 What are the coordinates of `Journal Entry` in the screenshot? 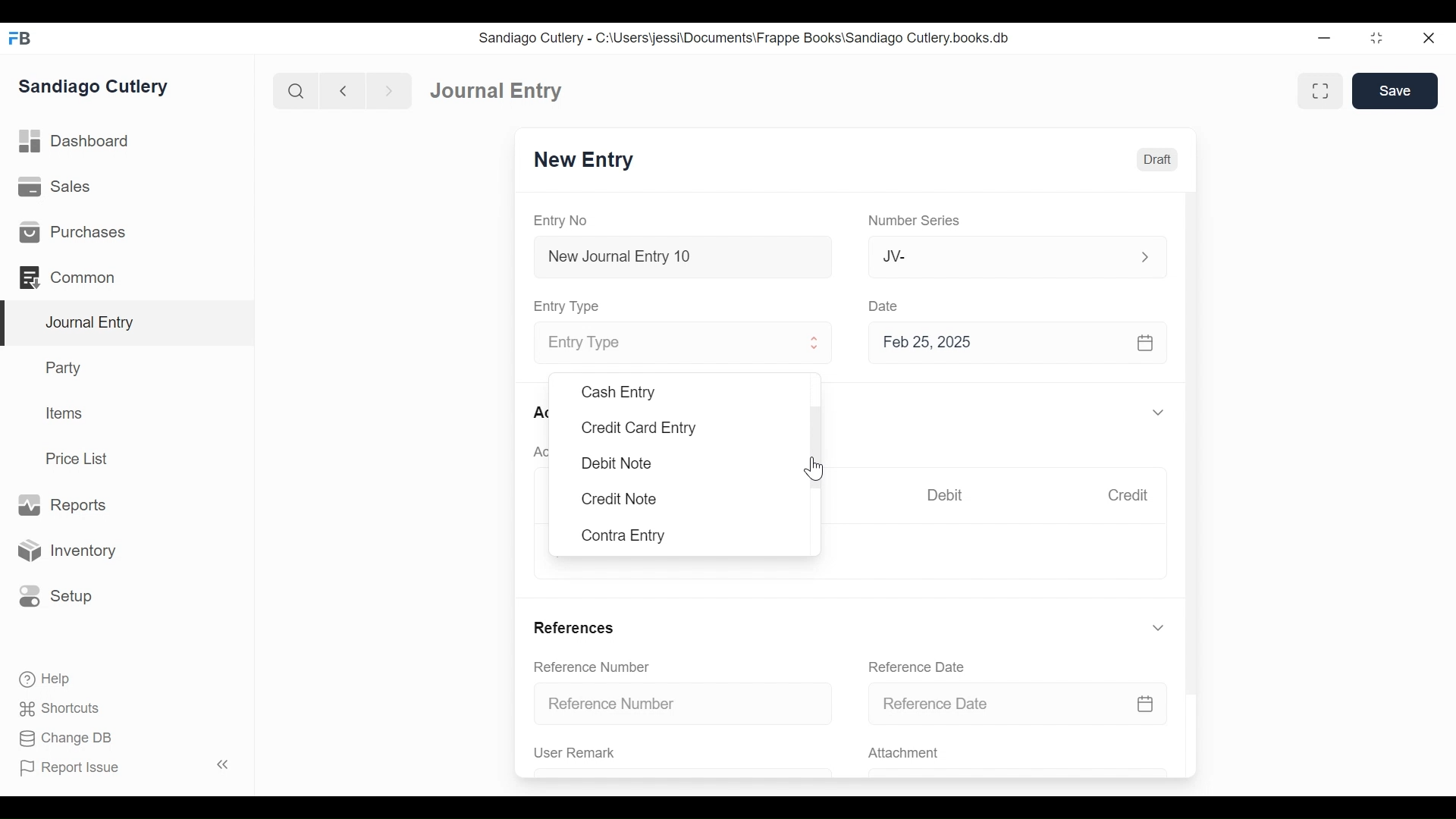 It's located at (128, 323).